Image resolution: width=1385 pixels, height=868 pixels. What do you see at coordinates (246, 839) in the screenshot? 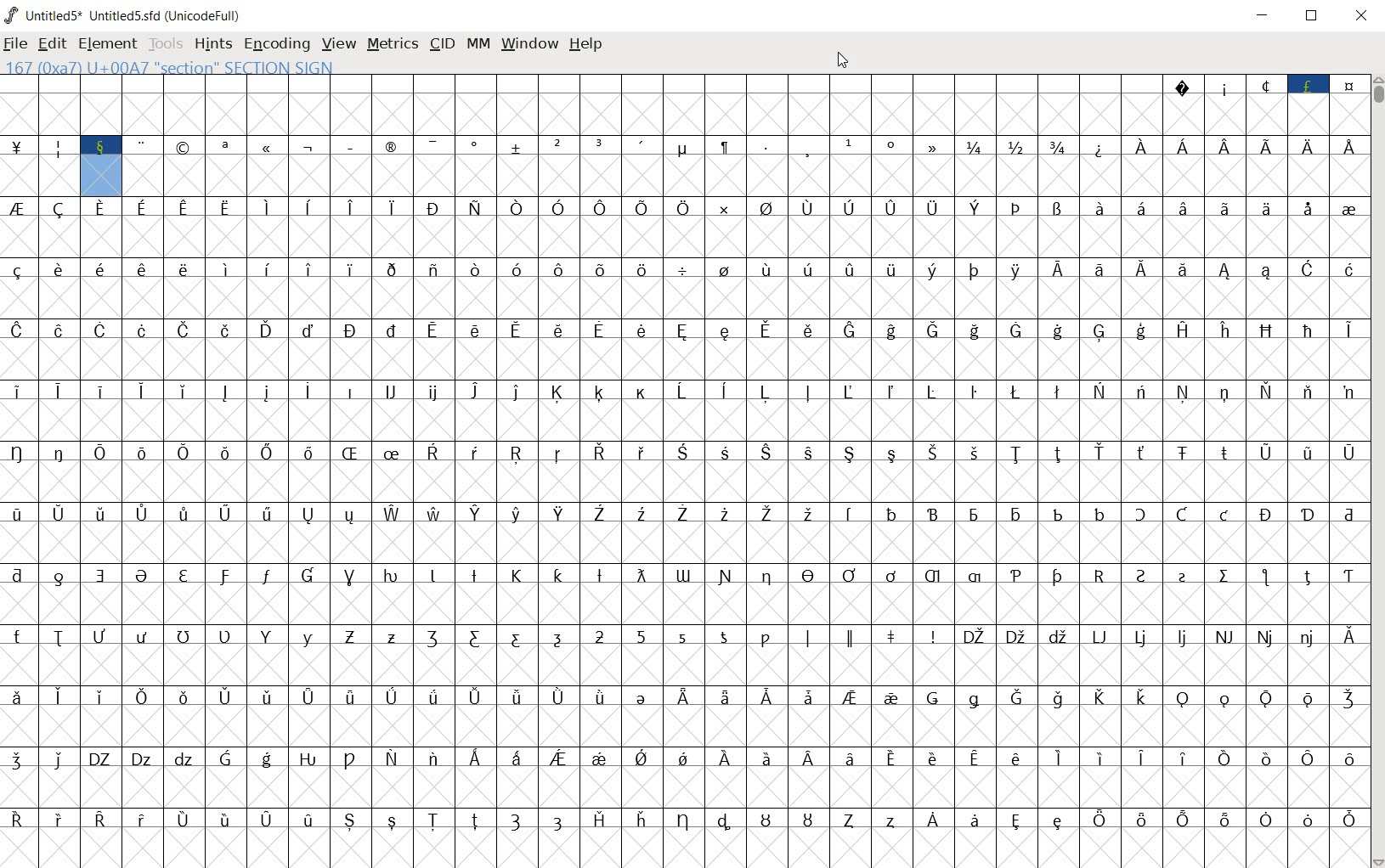
I see `Latin extended characters` at bounding box center [246, 839].